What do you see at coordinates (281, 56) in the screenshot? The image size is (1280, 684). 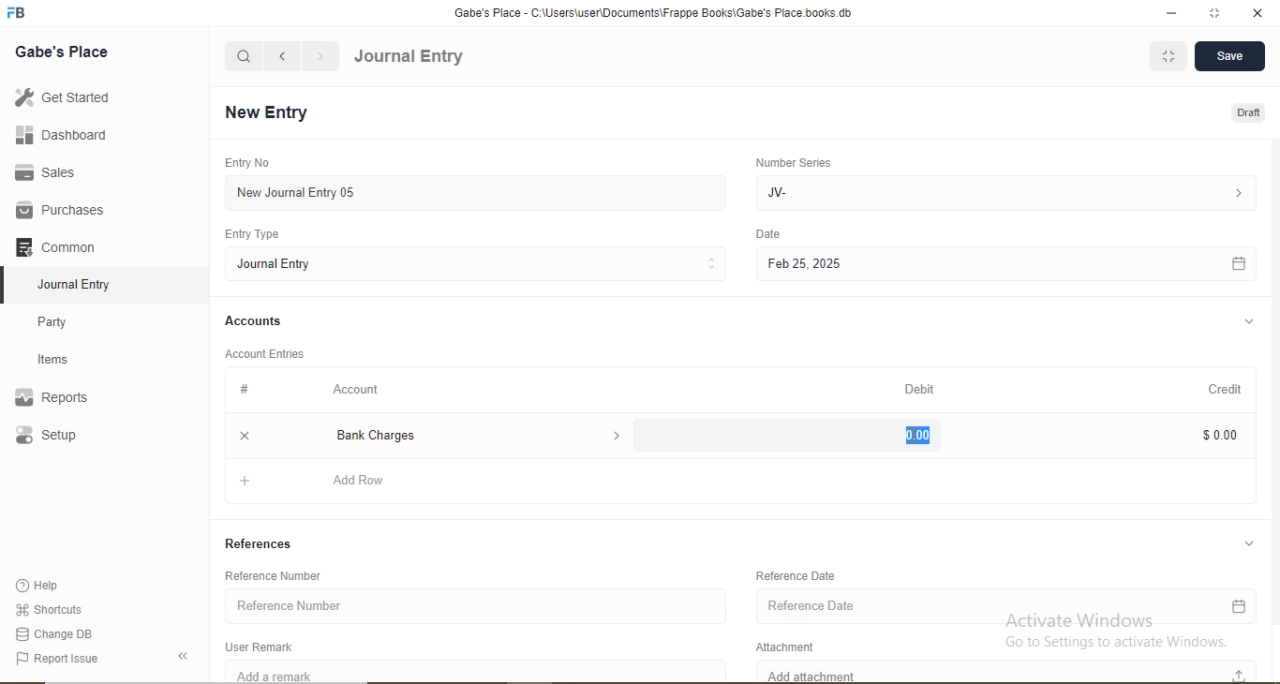 I see `navigate backward` at bounding box center [281, 56].